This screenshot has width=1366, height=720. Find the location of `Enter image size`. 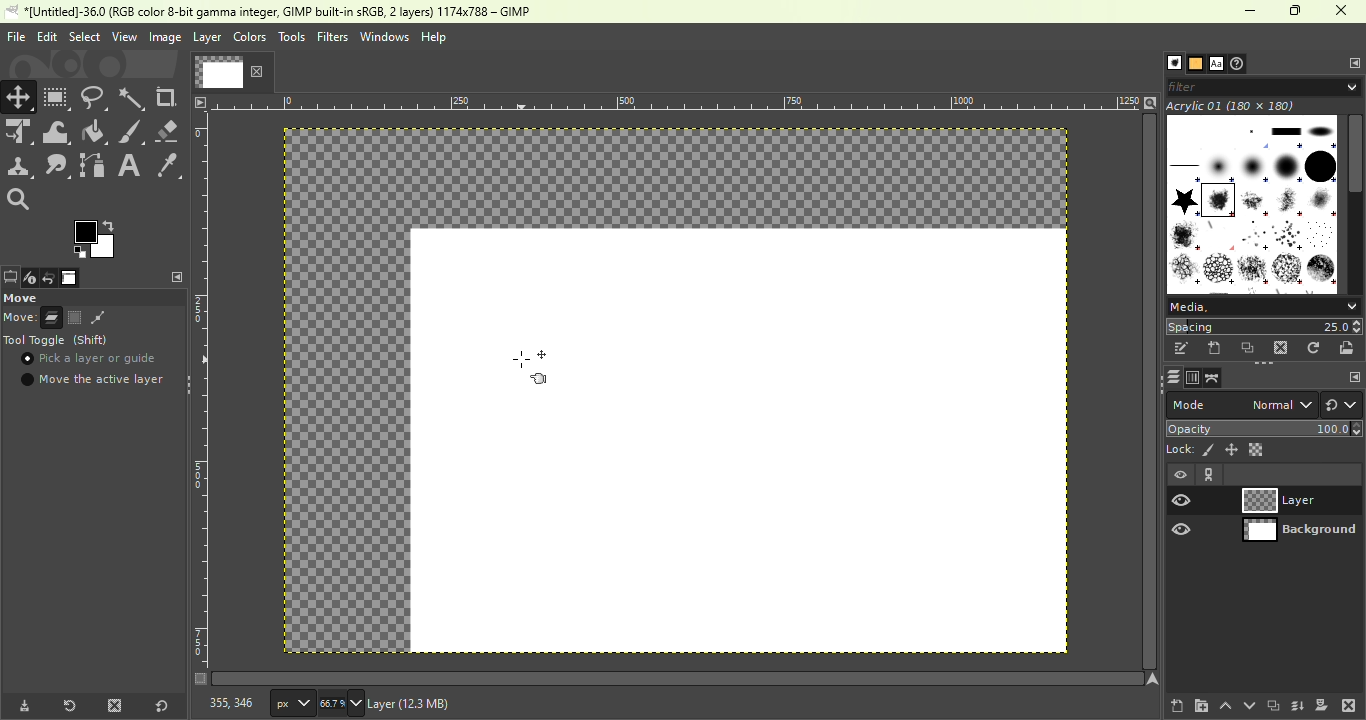

Enter image size is located at coordinates (342, 703).